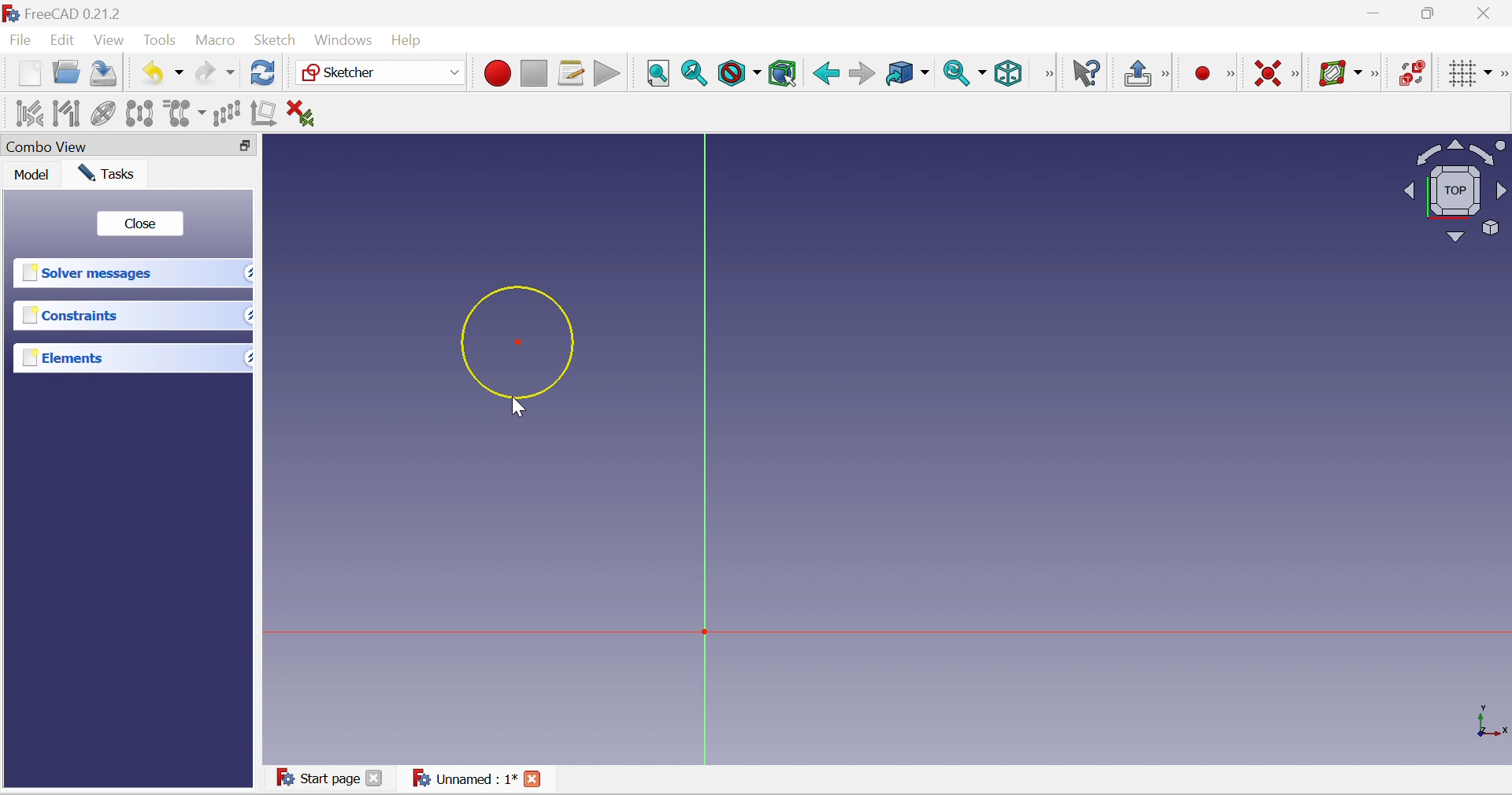  I want to click on Switch virtual space, so click(1413, 72).